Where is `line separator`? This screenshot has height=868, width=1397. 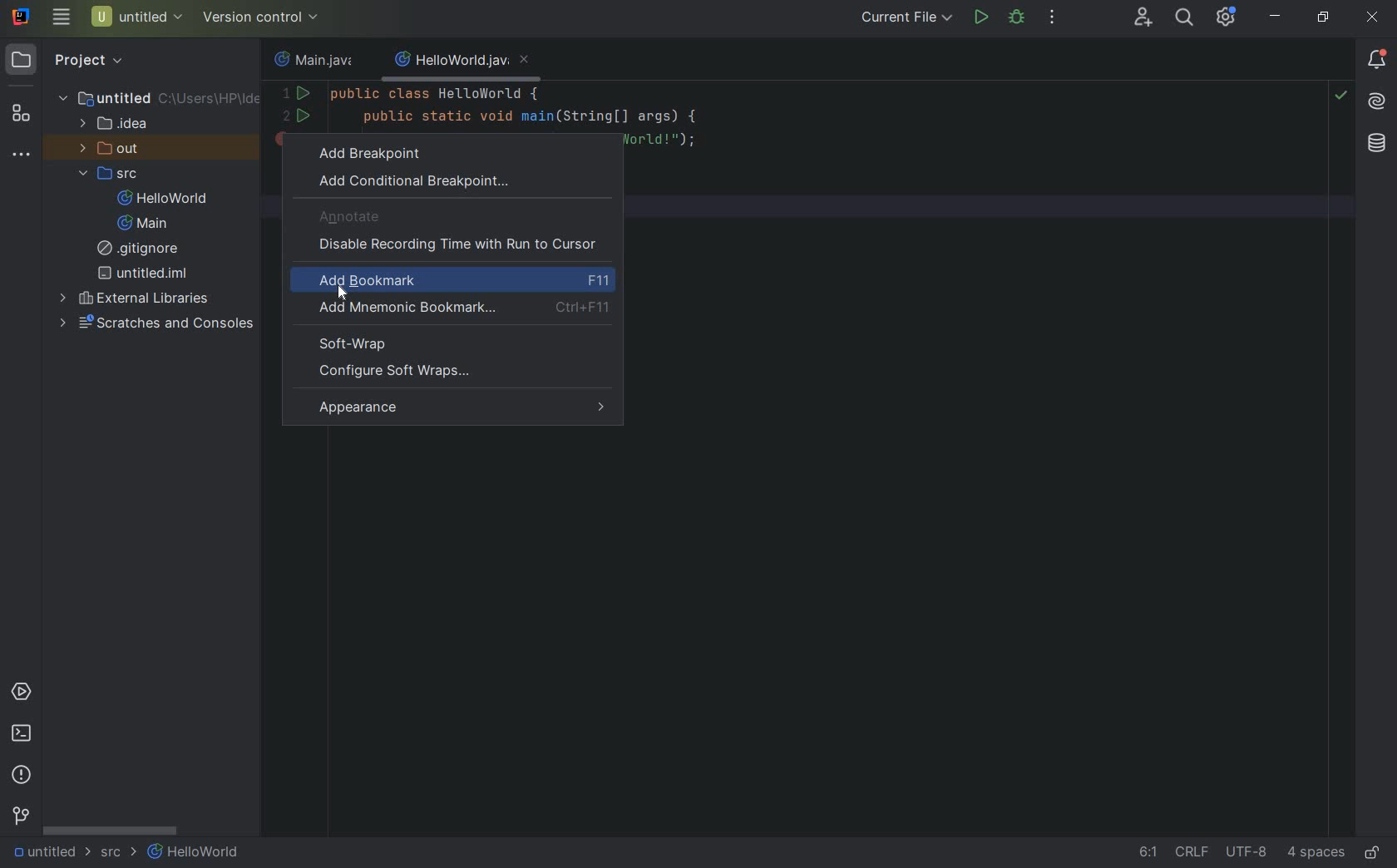 line separator is located at coordinates (1191, 854).